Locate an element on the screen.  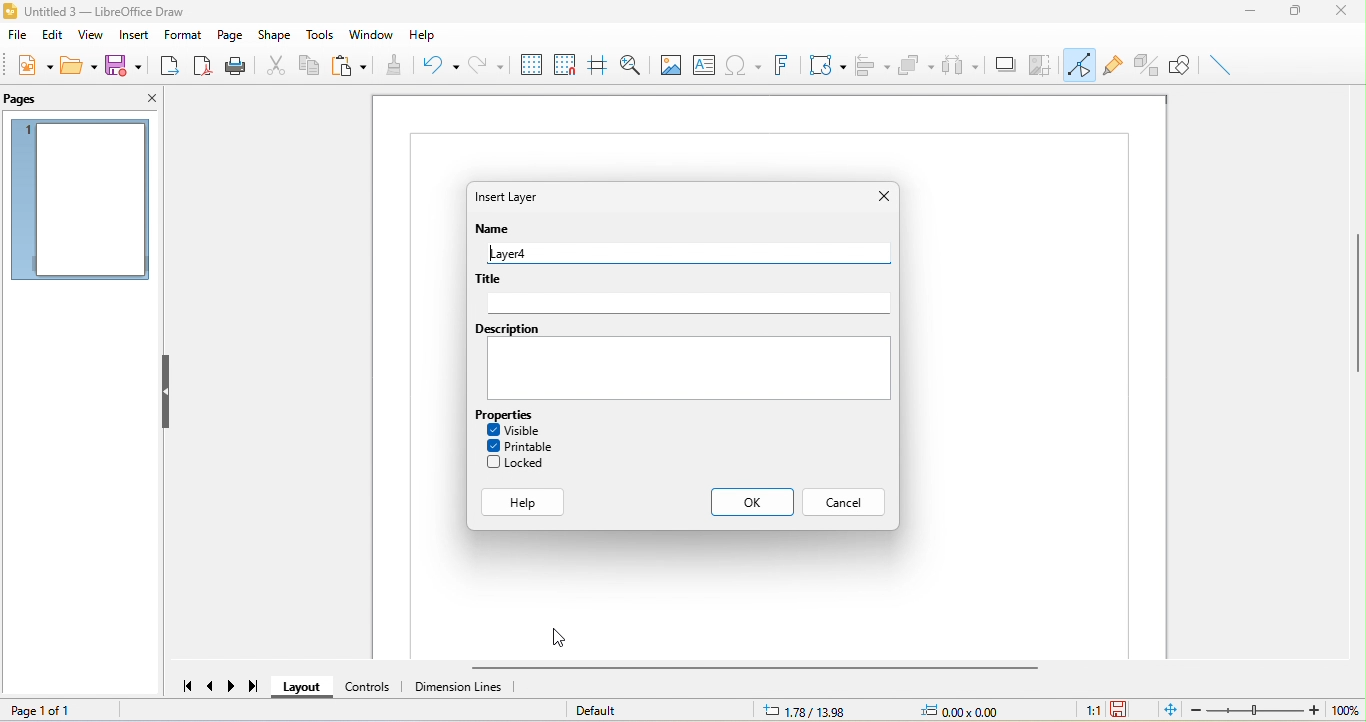
toggle point edit mode is located at coordinates (1081, 64).